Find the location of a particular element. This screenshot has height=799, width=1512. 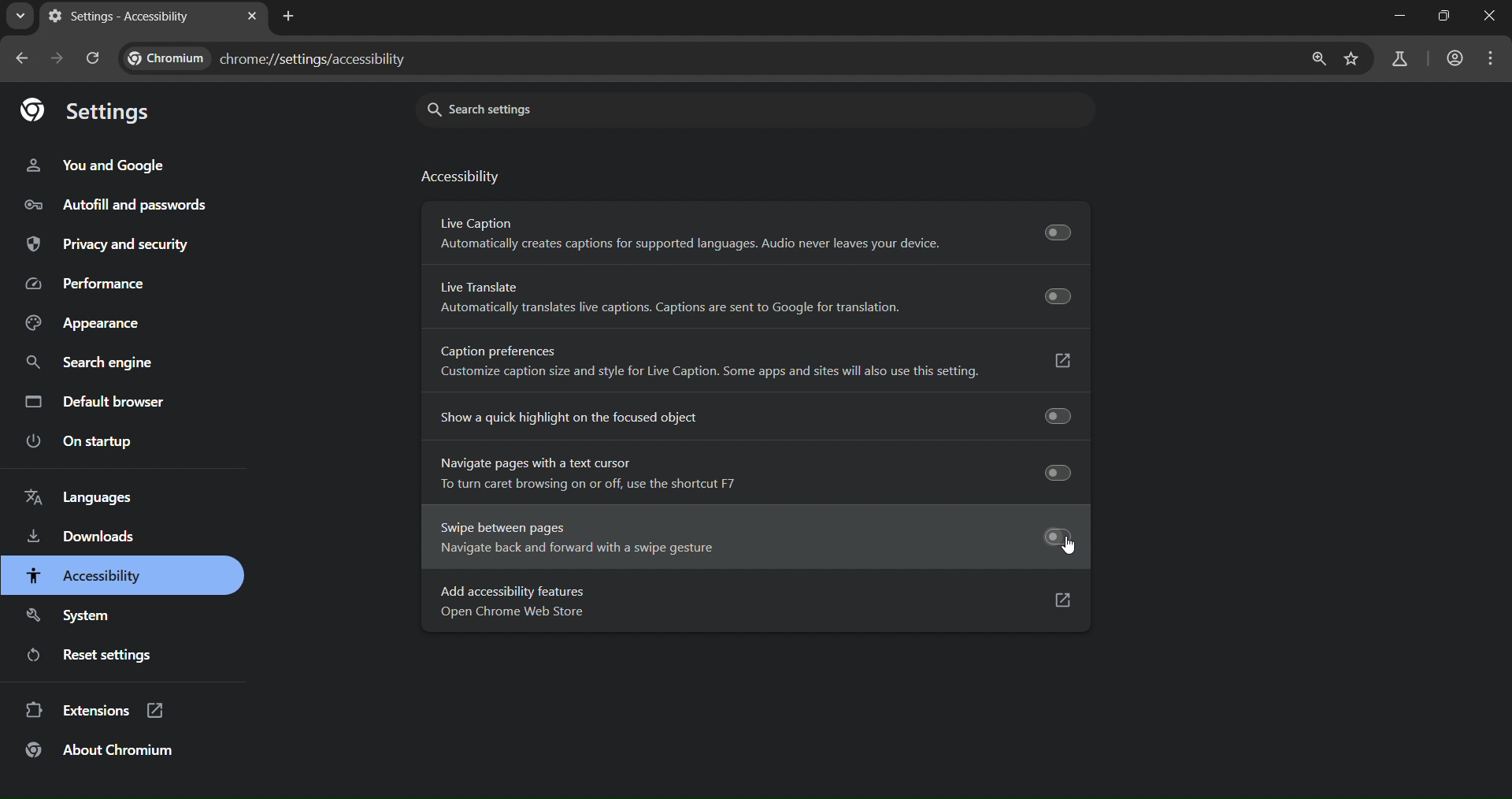

minimize is located at coordinates (1396, 20).